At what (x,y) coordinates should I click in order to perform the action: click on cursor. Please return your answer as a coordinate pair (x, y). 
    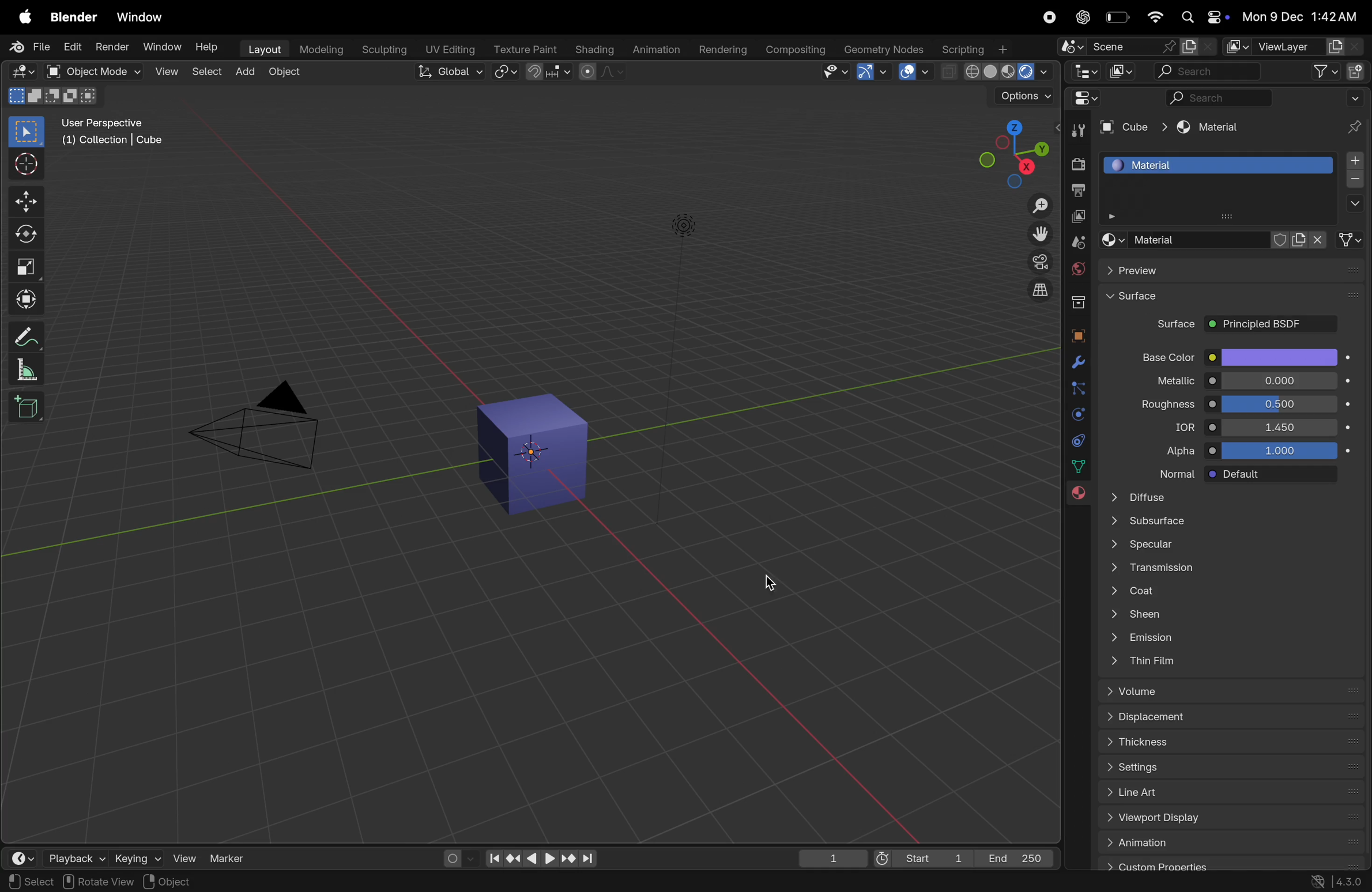
    Looking at the image, I should click on (1269, 364).